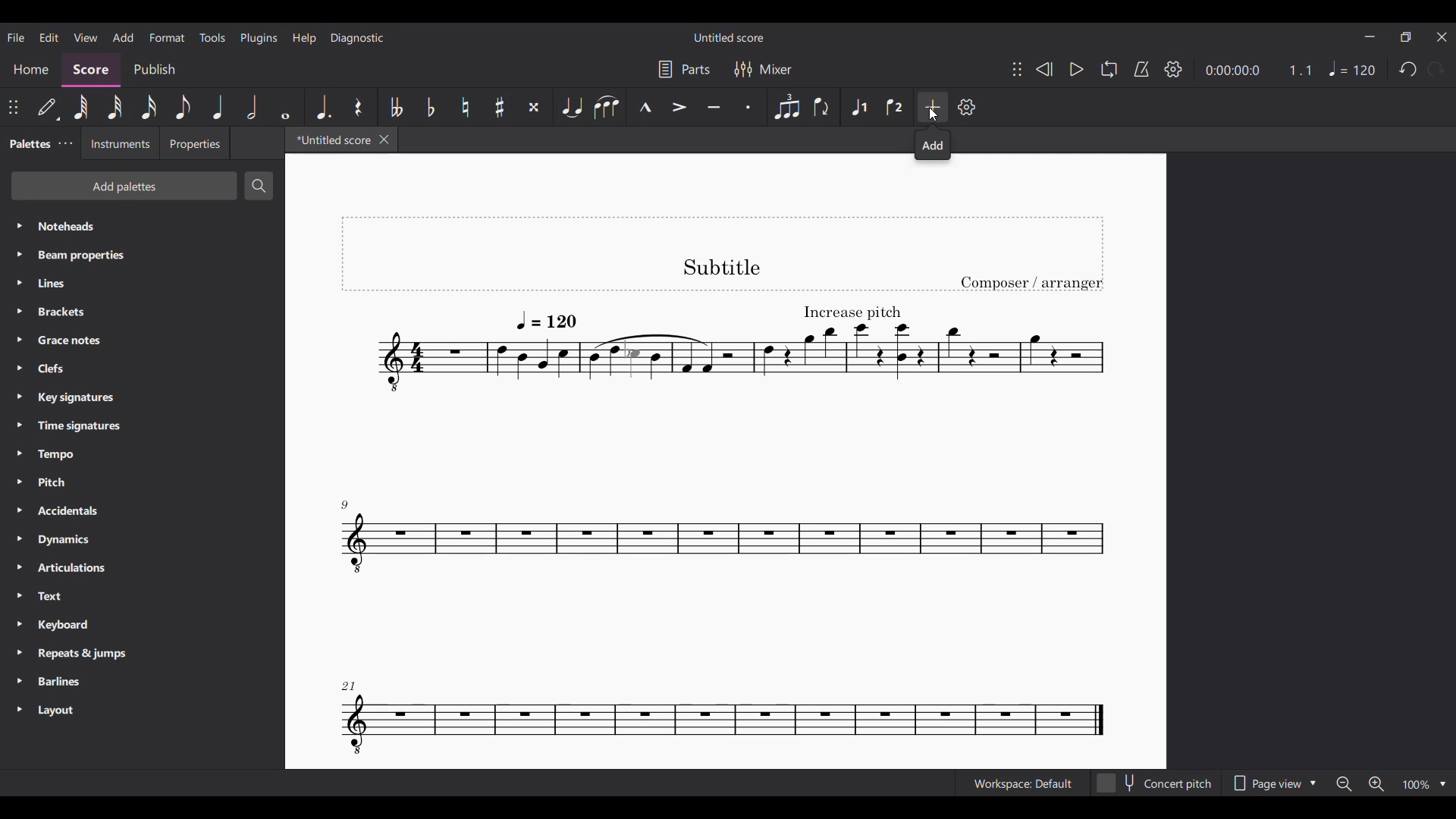  What do you see at coordinates (259, 185) in the screenshot?
I see `Search` at bounding box center [259, 185].